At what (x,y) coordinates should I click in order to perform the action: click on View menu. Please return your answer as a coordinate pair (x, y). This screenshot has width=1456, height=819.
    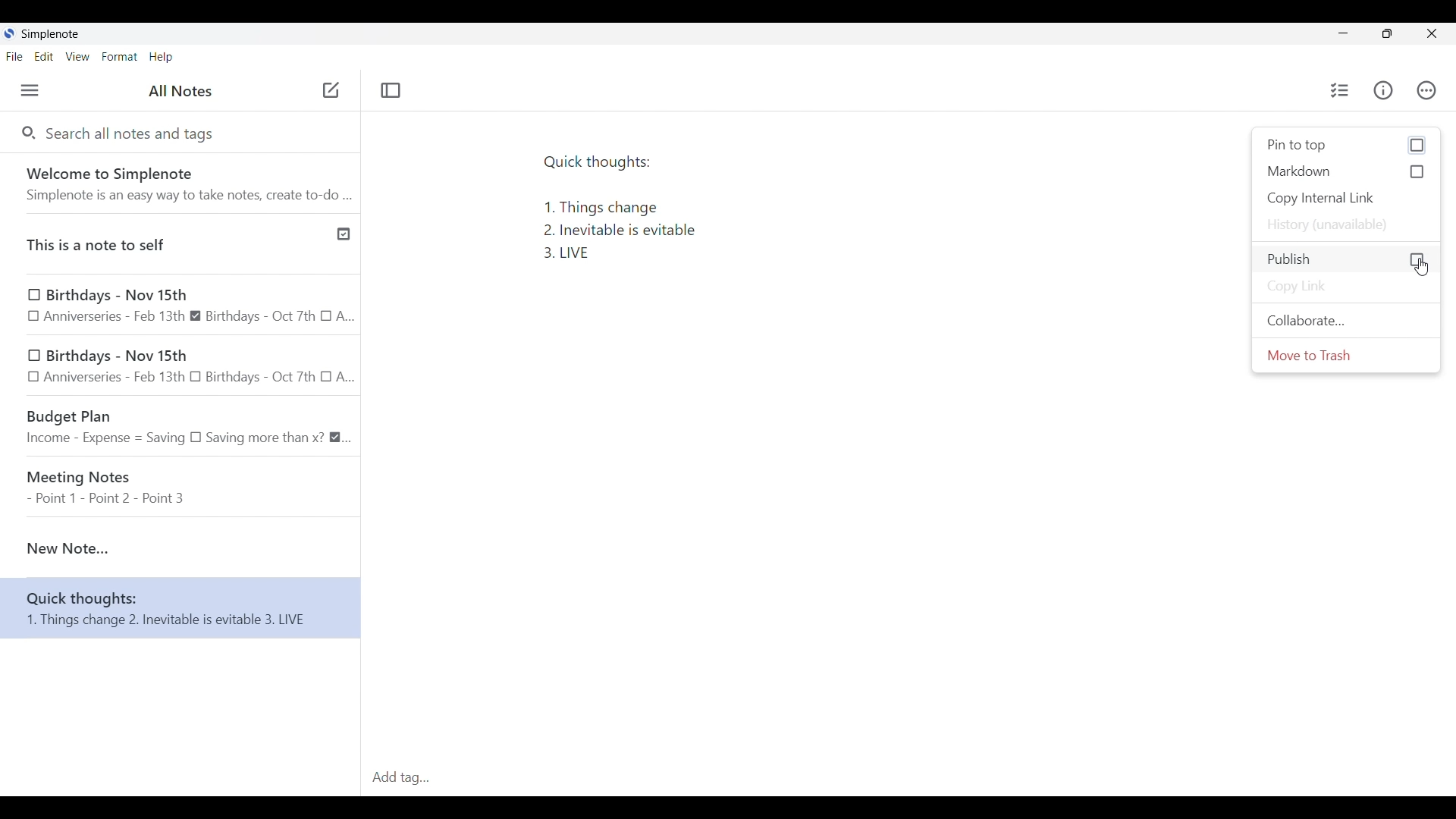
    Looking at the image, I should click on (78, 56).